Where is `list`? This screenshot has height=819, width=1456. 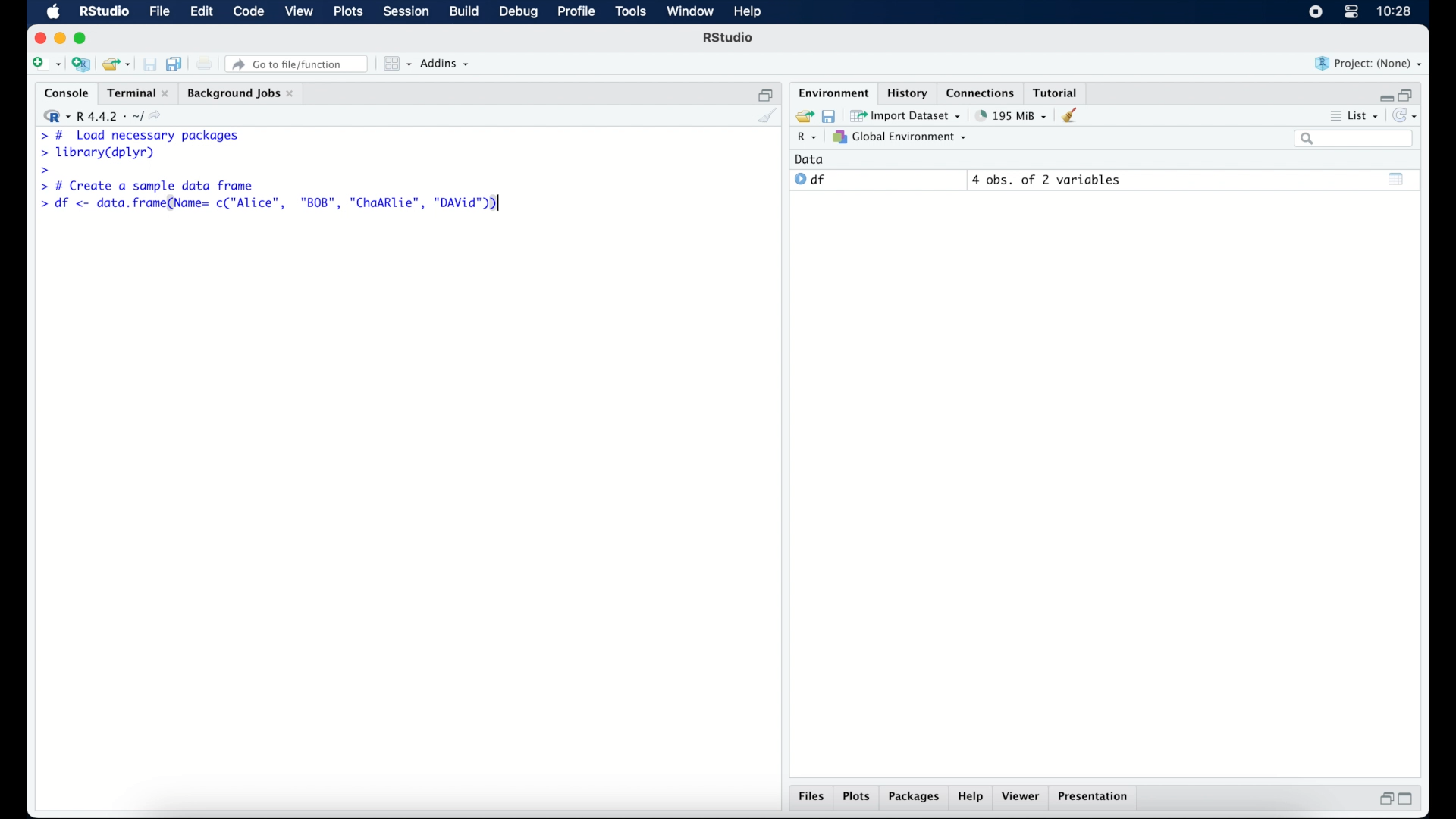 list is located at coordinates (1353, 118).